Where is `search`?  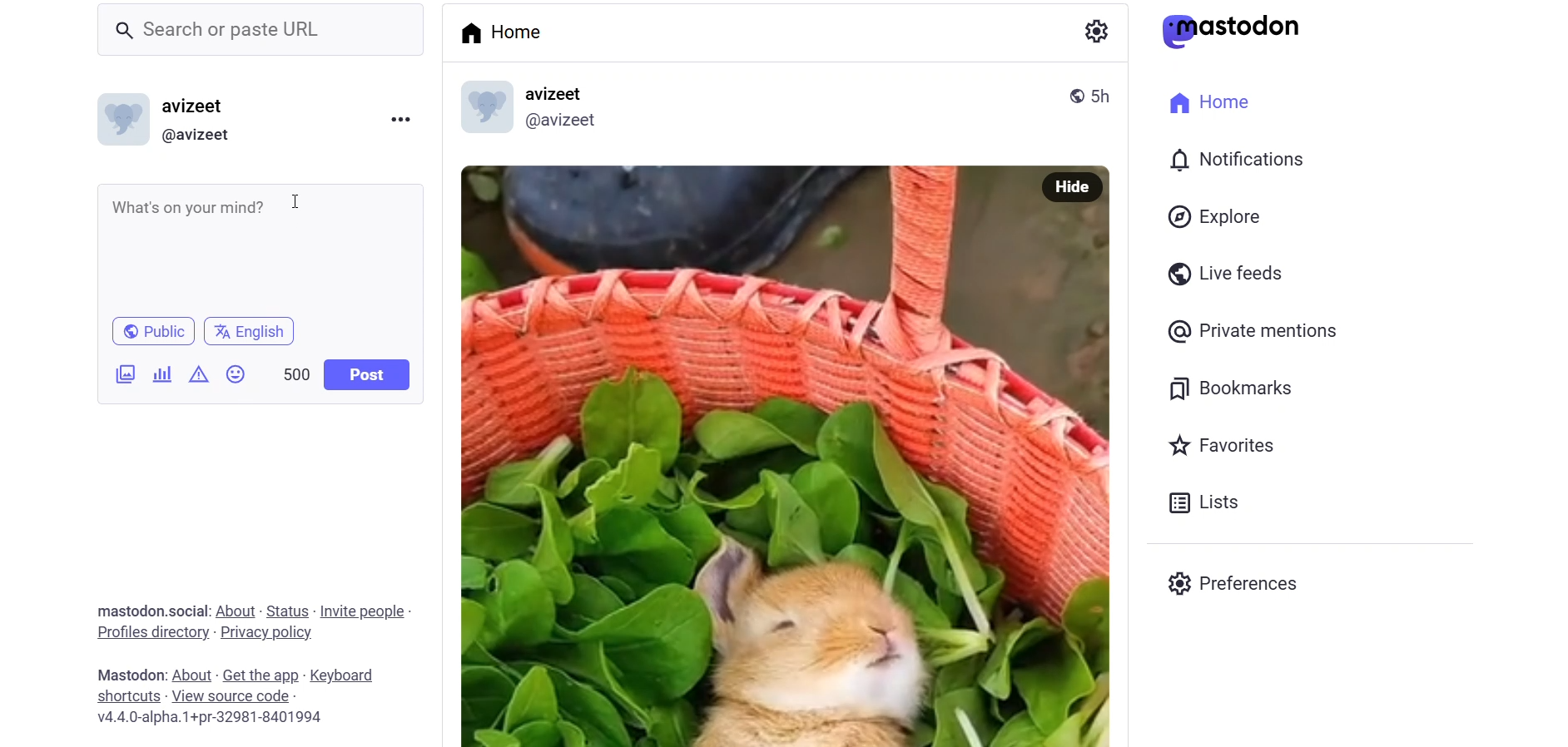 search is located at coordinates (256, 27).